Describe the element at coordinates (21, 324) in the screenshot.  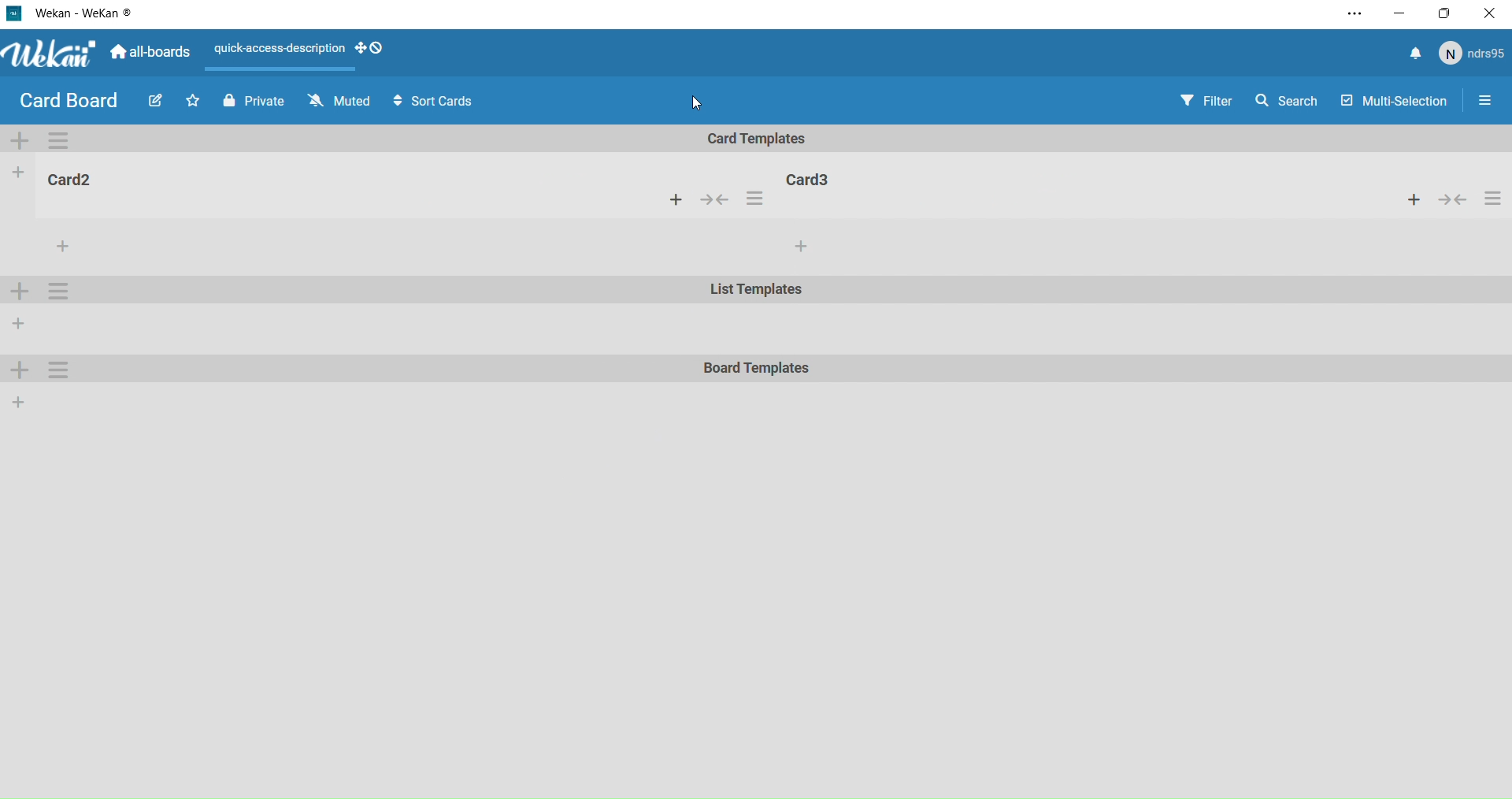
I see `add` at that location.